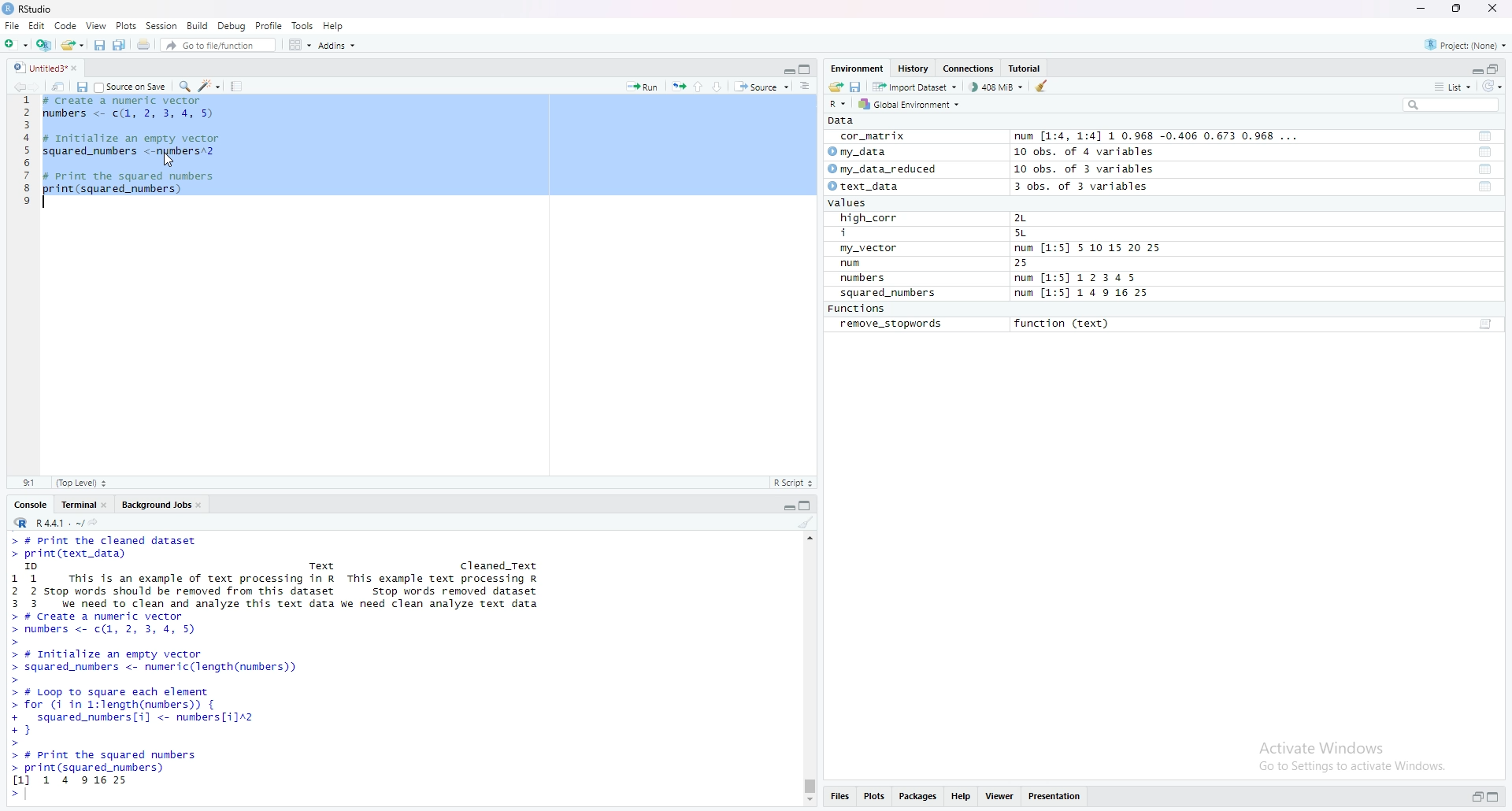 This screenshot has width=1512, height=811. I want to click on up, so click(699, 85).